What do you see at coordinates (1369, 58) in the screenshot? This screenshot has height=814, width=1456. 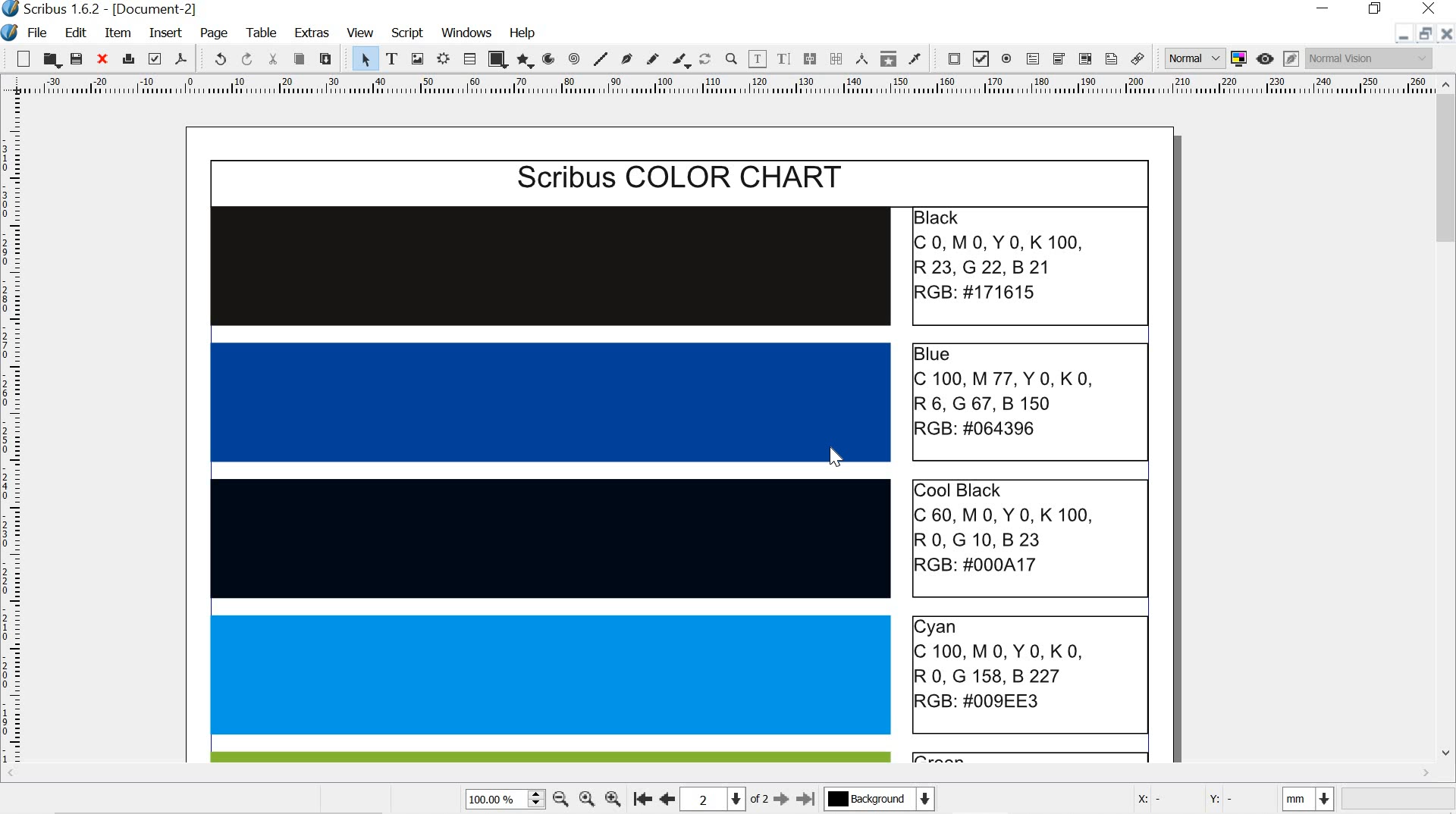 I see `Normal Vision` at bounding box center [1369, 58].